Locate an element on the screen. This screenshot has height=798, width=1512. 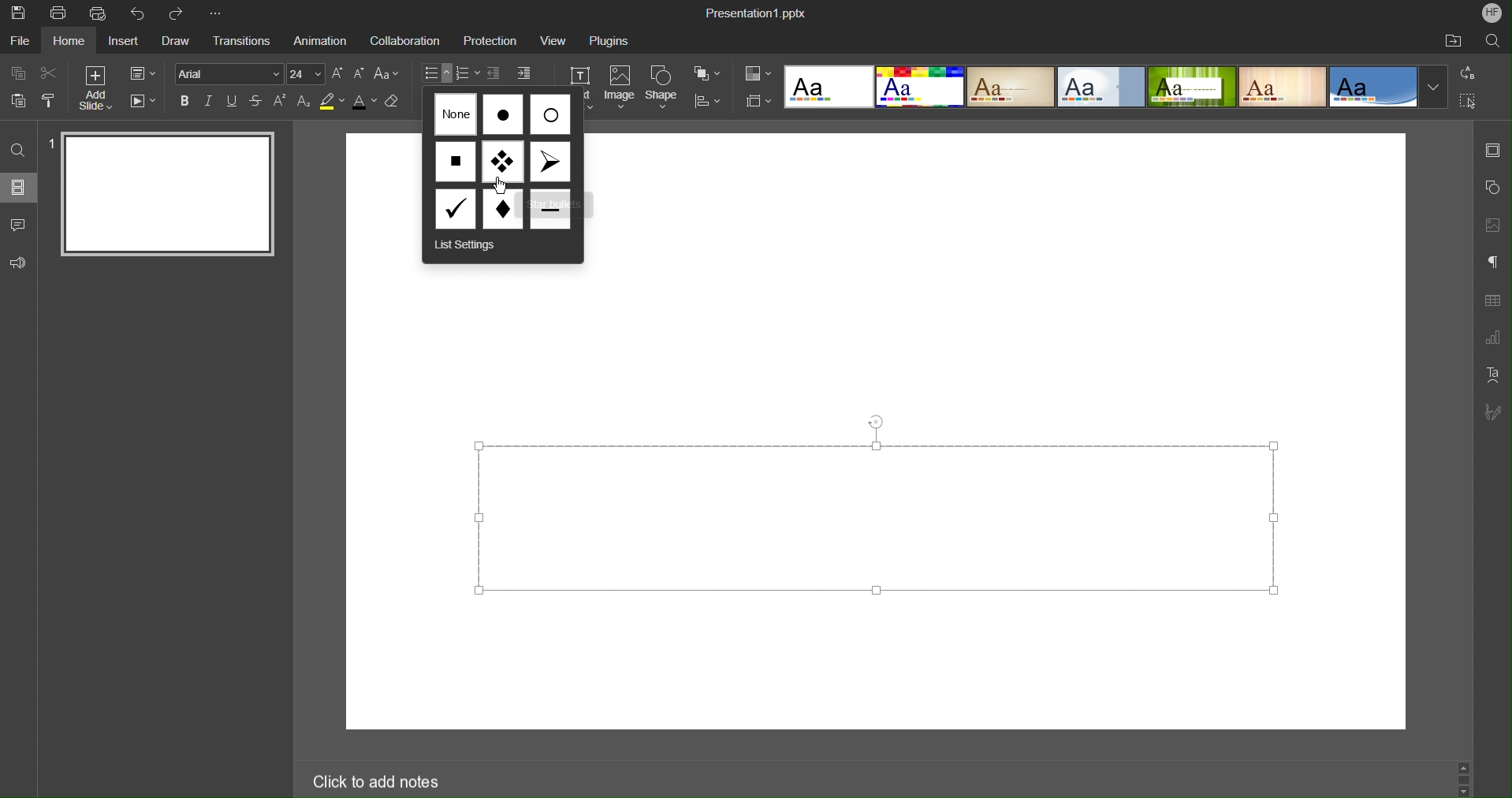
Presentation1.pptx is located at coordinates (755, 11).